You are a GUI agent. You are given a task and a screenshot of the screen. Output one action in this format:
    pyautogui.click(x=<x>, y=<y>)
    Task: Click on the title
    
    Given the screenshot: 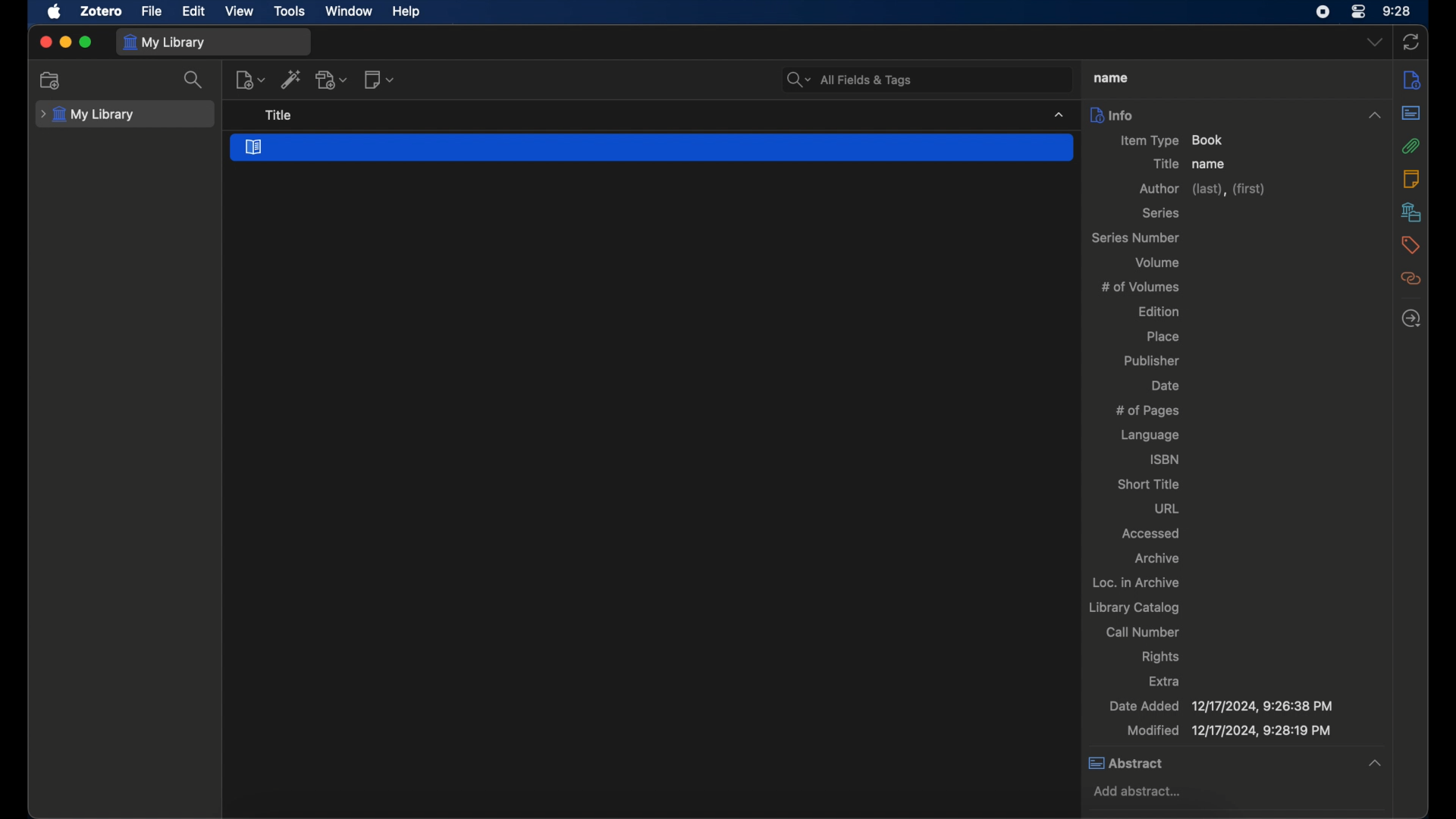 What is the action you would take?
    pyautogui.click(x=278, y=115)
    